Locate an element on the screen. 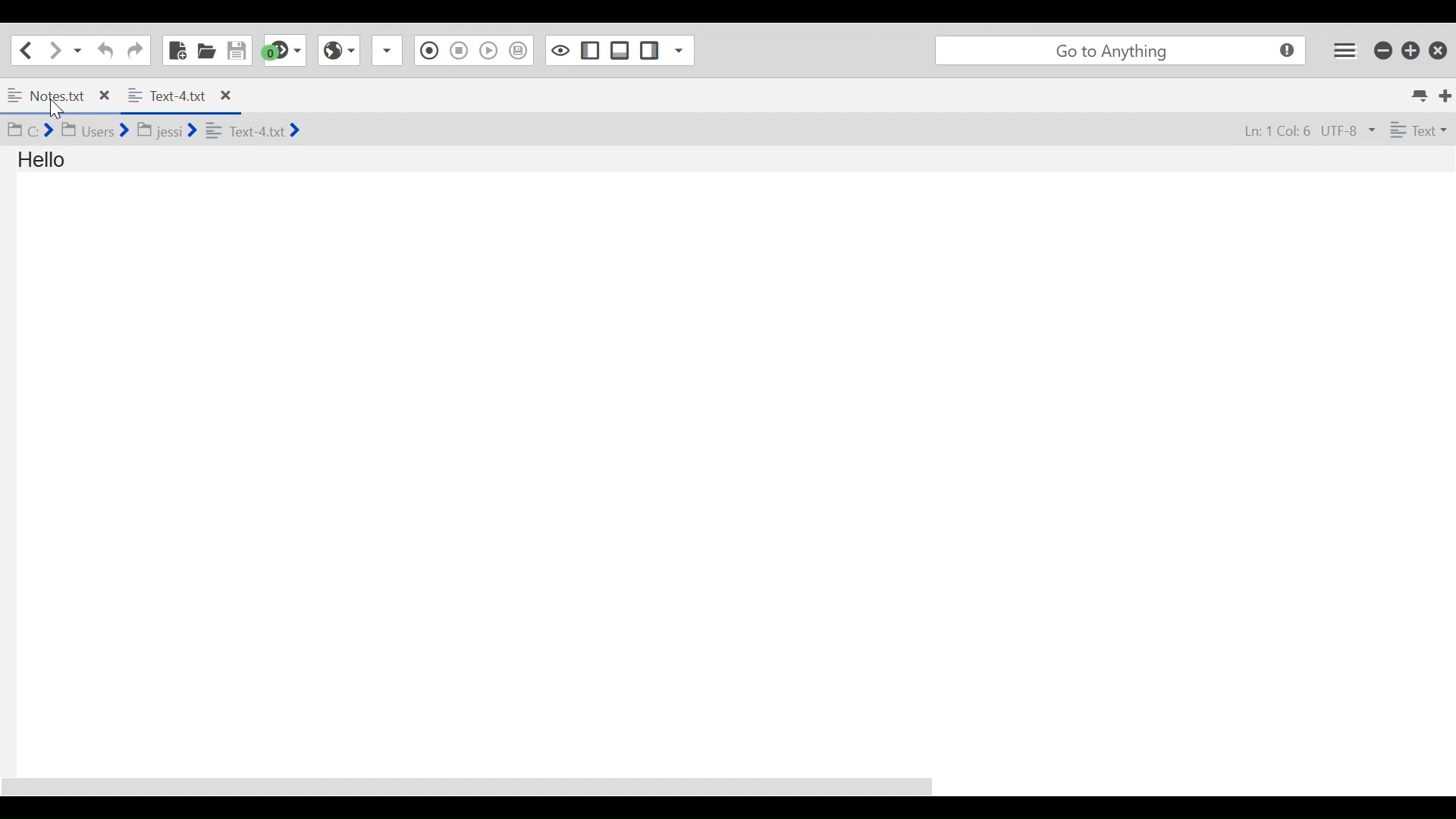  text is located at coordinates (1416, 130).